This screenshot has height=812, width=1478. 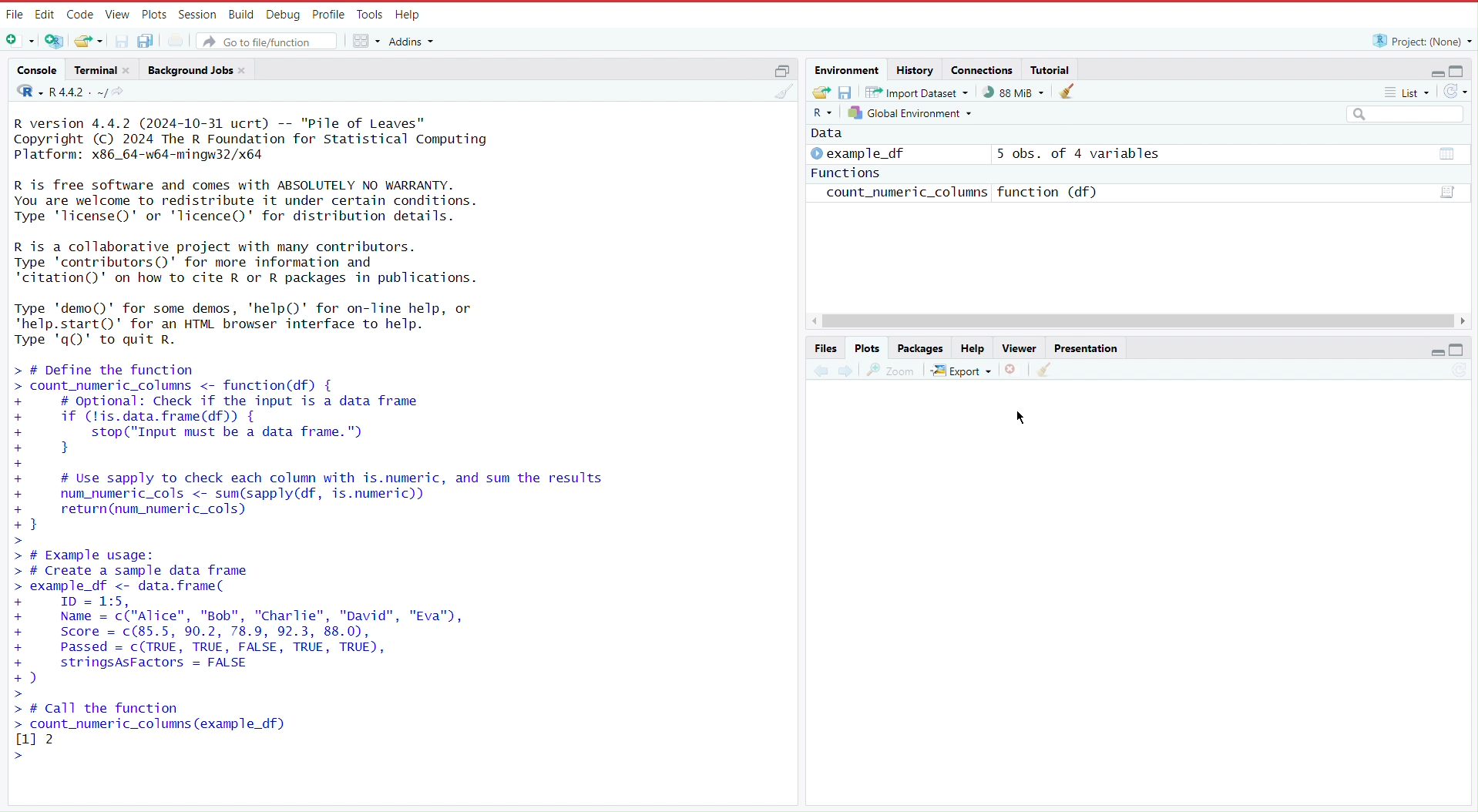 I want to click on Tools, so click(x=368, y=15).